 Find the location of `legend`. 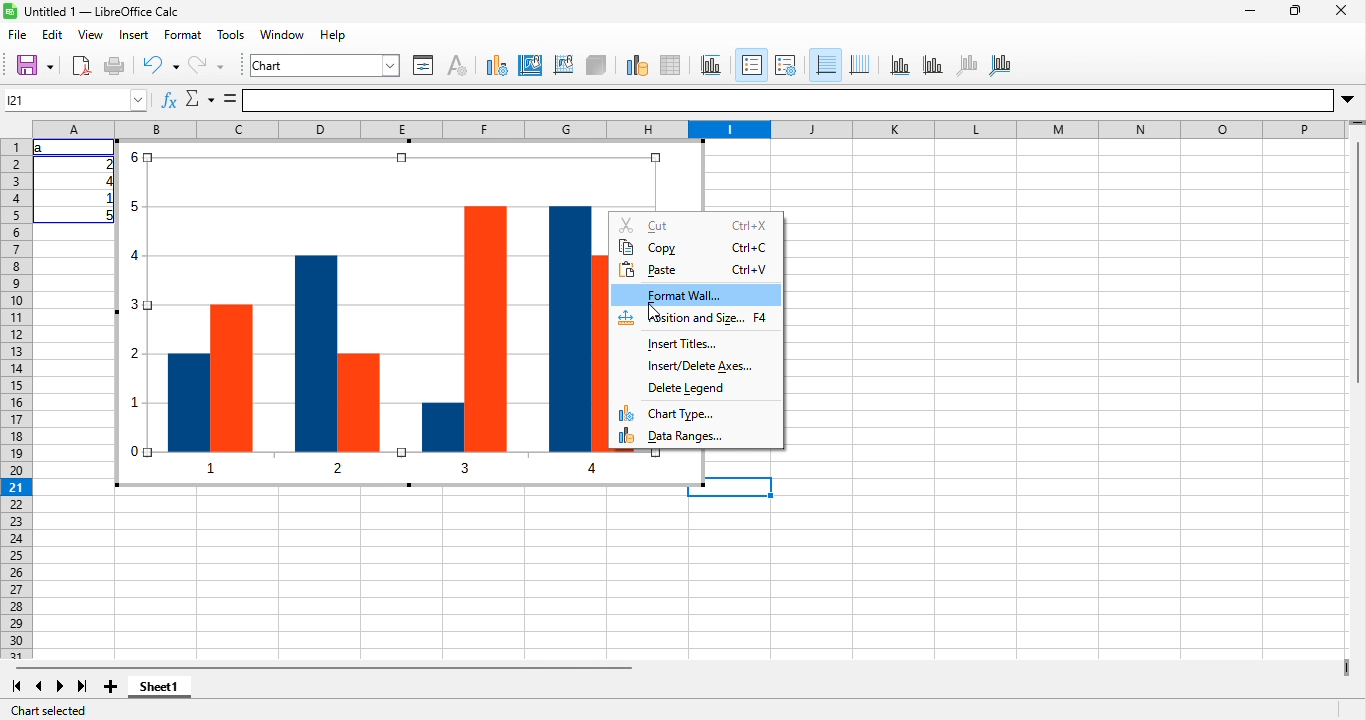

legend is located at coordinates (786, 66).